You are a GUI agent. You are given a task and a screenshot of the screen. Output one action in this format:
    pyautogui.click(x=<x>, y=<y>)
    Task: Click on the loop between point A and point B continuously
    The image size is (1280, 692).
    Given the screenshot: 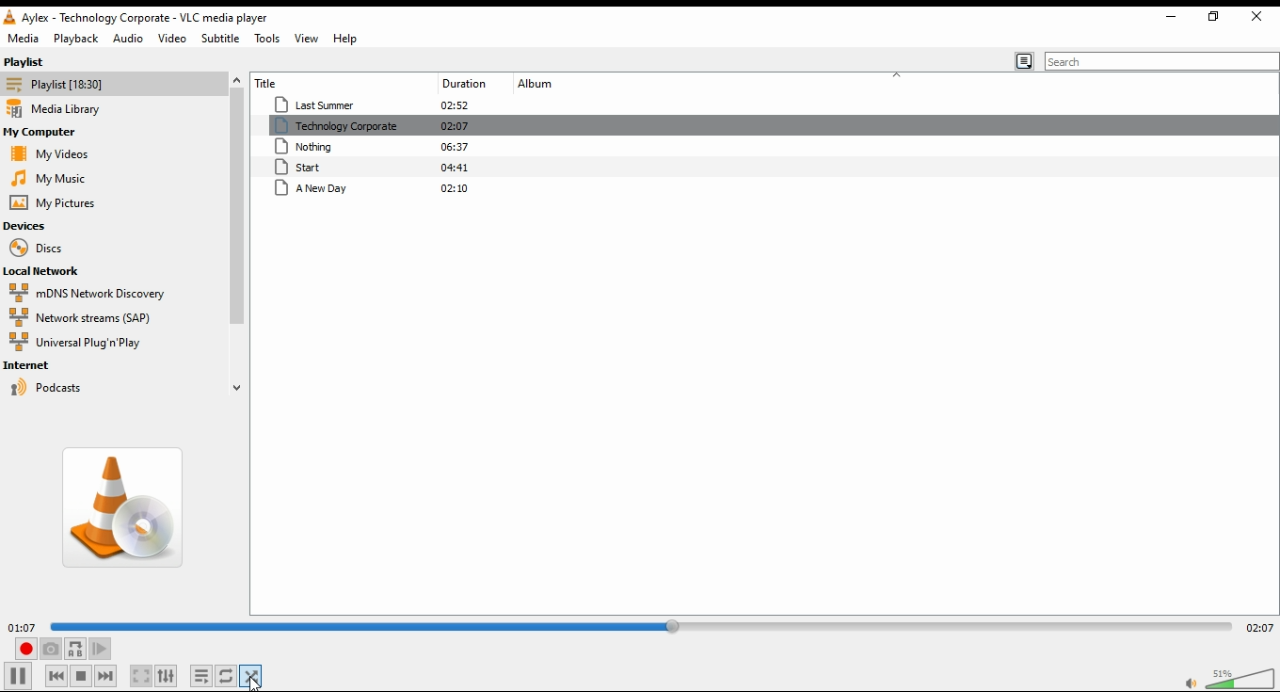 What is the action you would take?
    pyautogui.click(x=77, y=648)
    